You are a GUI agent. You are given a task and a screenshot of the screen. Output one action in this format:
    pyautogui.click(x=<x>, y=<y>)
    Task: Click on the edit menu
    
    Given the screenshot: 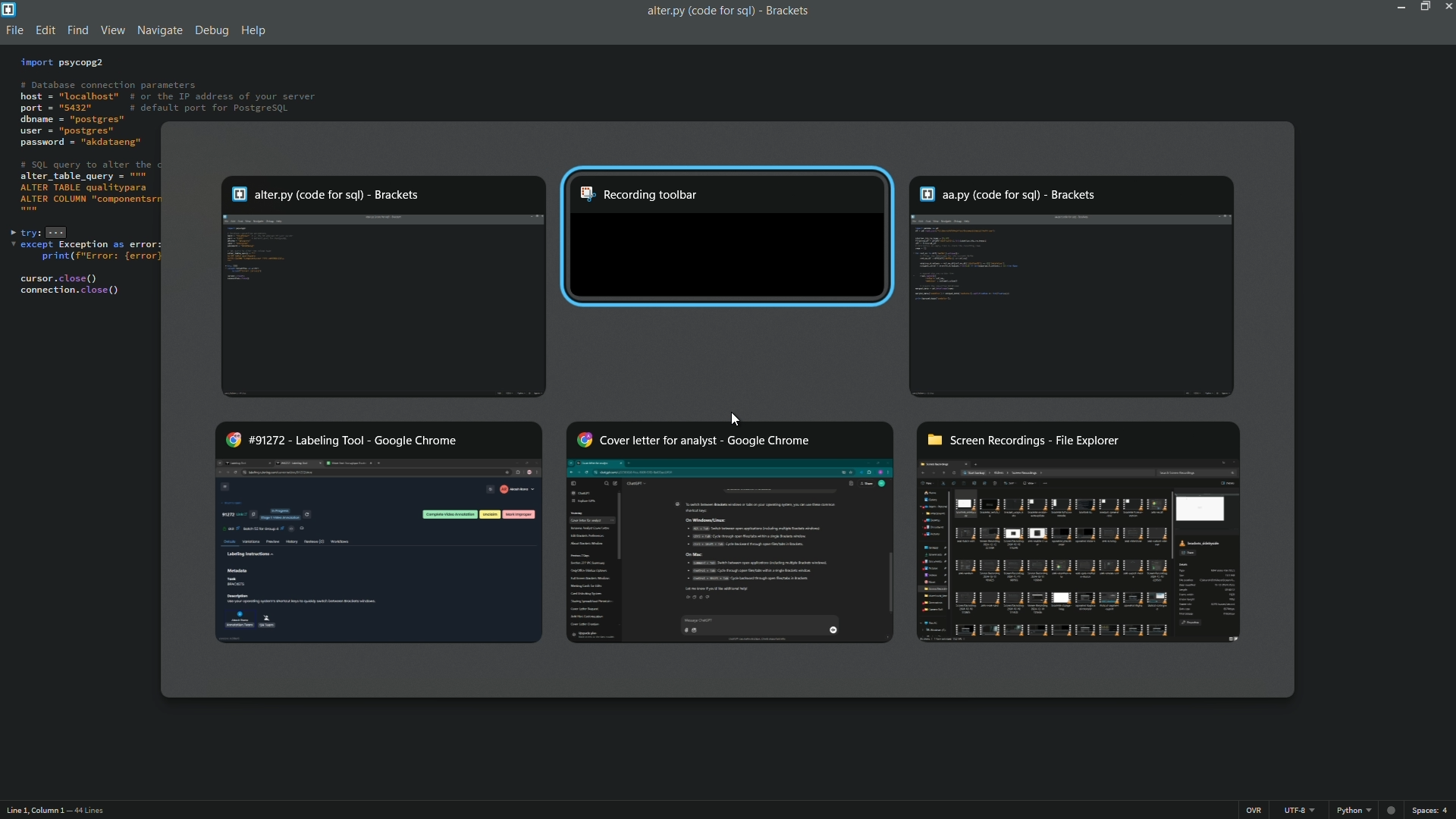 What is the action you would take?
    pyautogui.click(x=45, y=31)
    